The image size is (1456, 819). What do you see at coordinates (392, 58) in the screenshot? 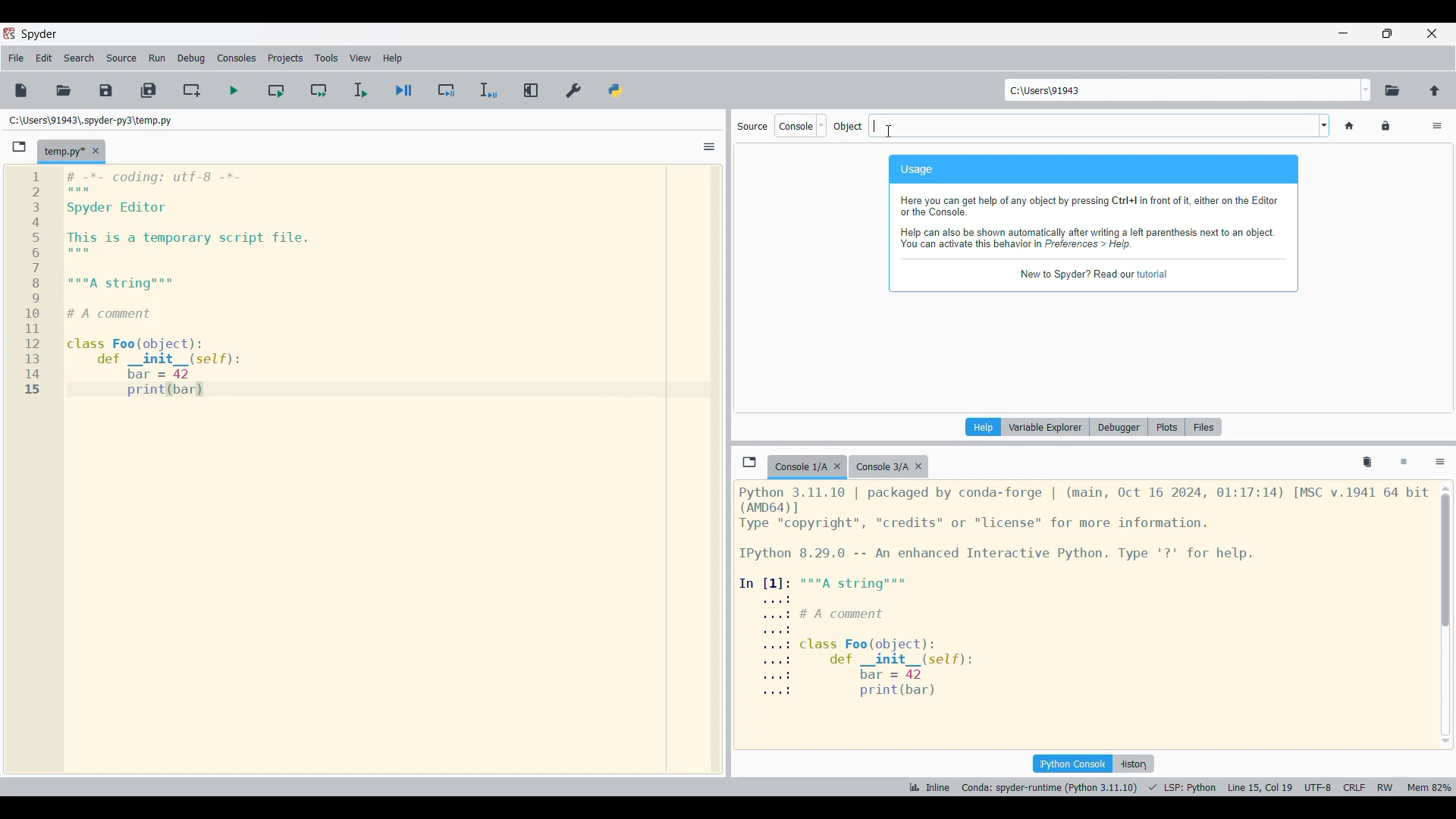
I see `Help menu` at bounding box center [392, 58].